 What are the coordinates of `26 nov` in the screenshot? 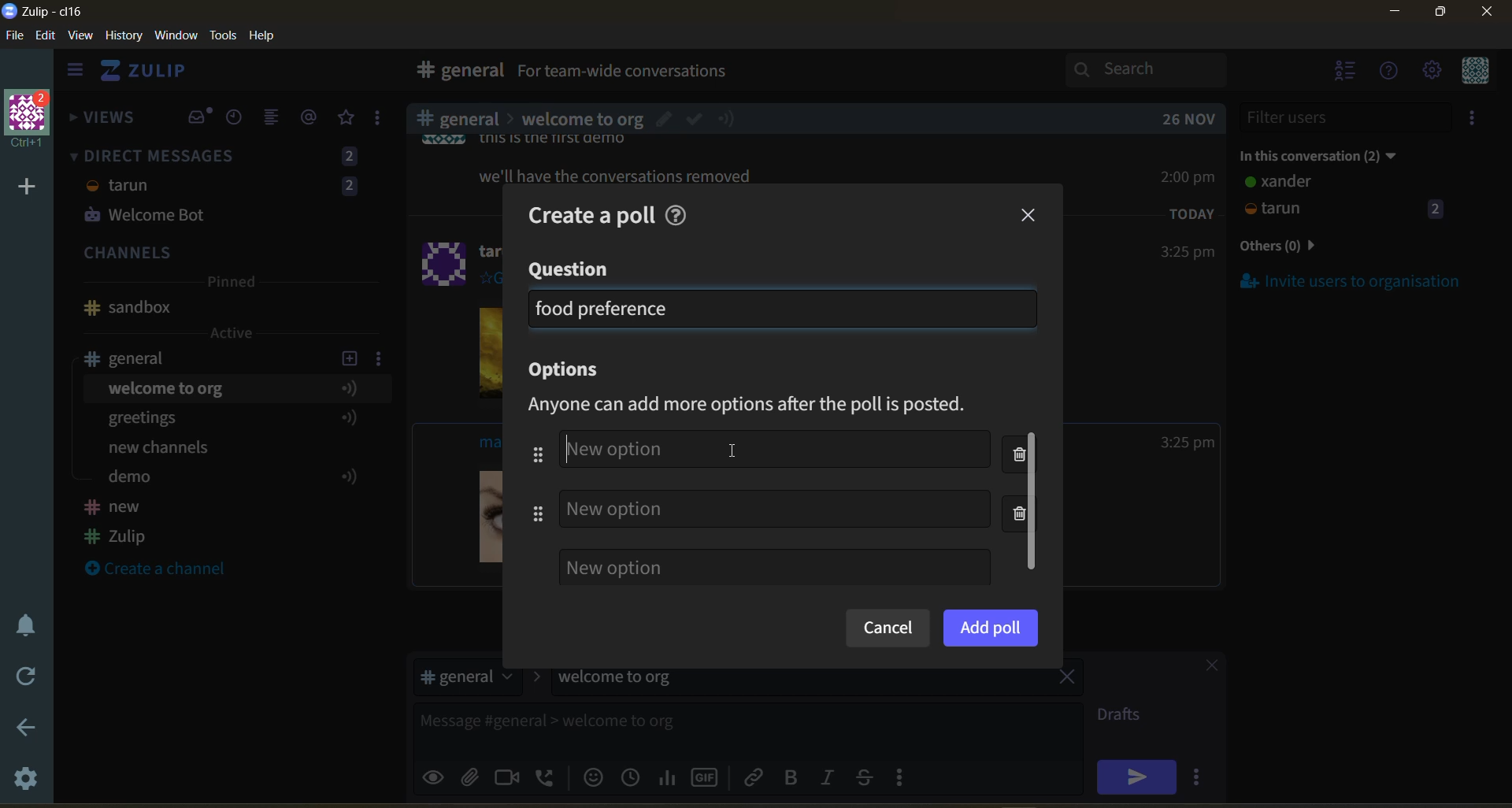 It's located at (1189, 119).